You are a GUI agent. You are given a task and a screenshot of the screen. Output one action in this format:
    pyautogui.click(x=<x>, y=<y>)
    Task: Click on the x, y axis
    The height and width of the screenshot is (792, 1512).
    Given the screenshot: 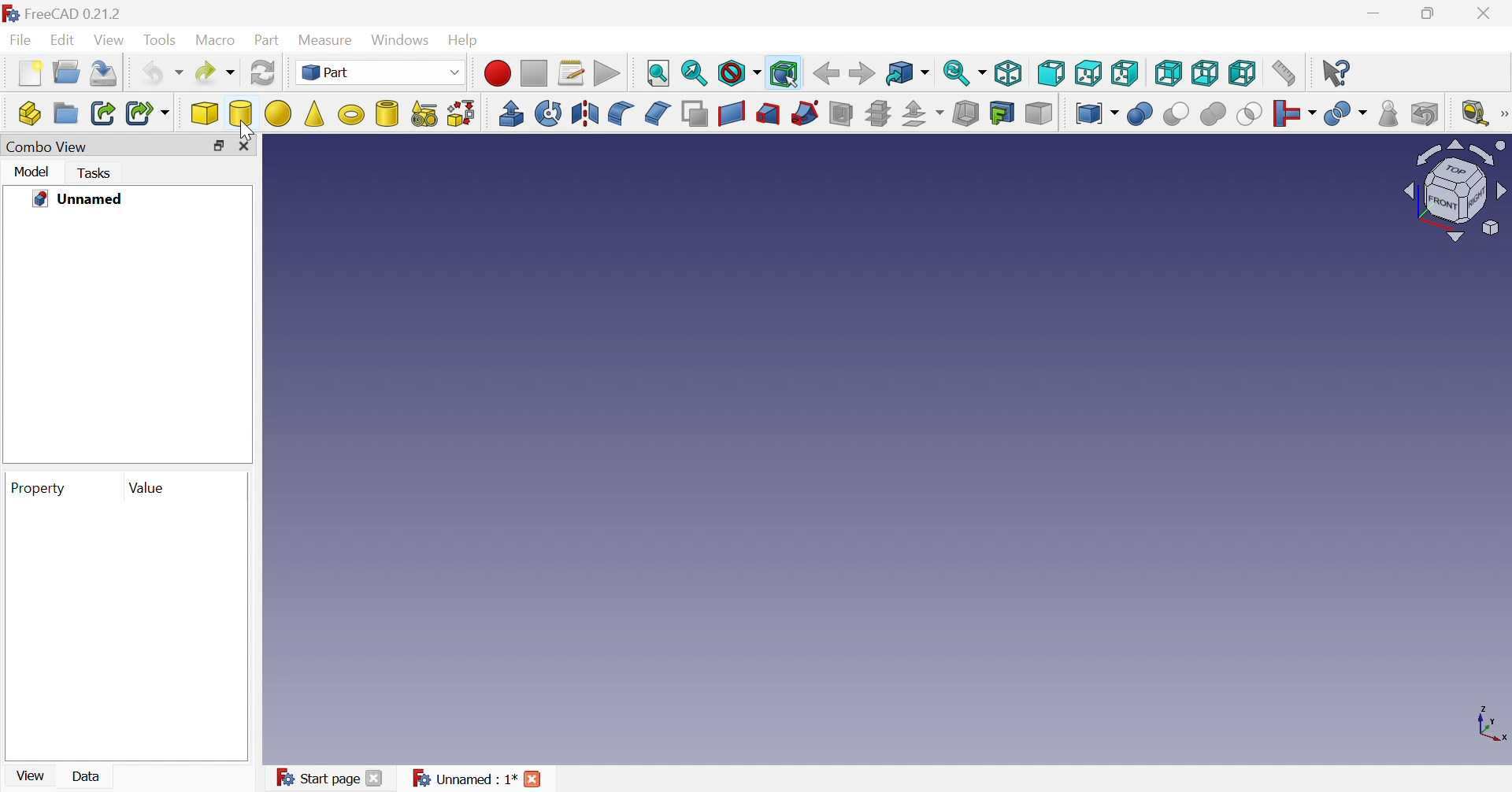 What is the action you would take?
    pyautogui.click(x=1492, y=726)
    